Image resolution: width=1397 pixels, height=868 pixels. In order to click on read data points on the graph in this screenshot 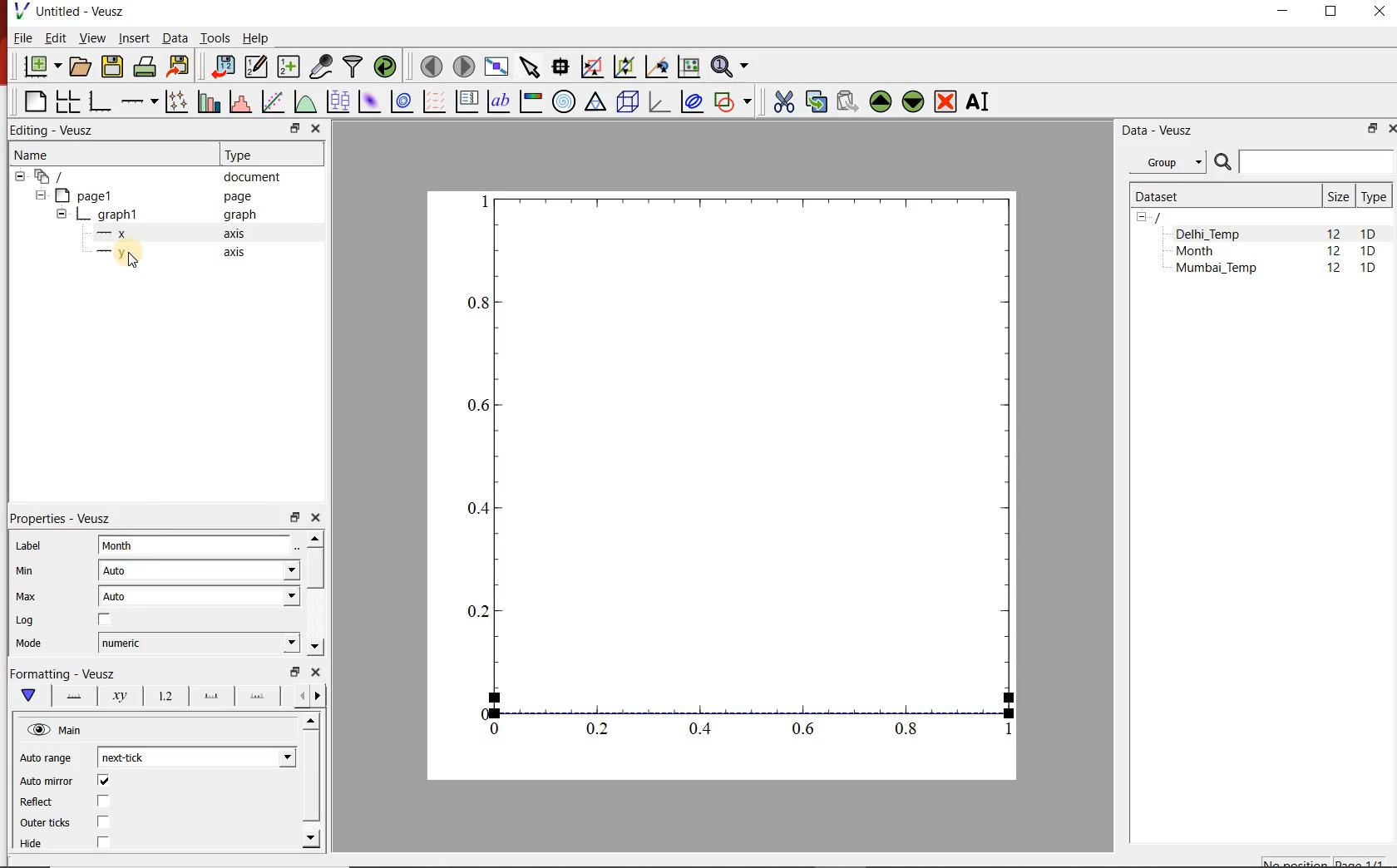, I will do `click(560, 67)`.